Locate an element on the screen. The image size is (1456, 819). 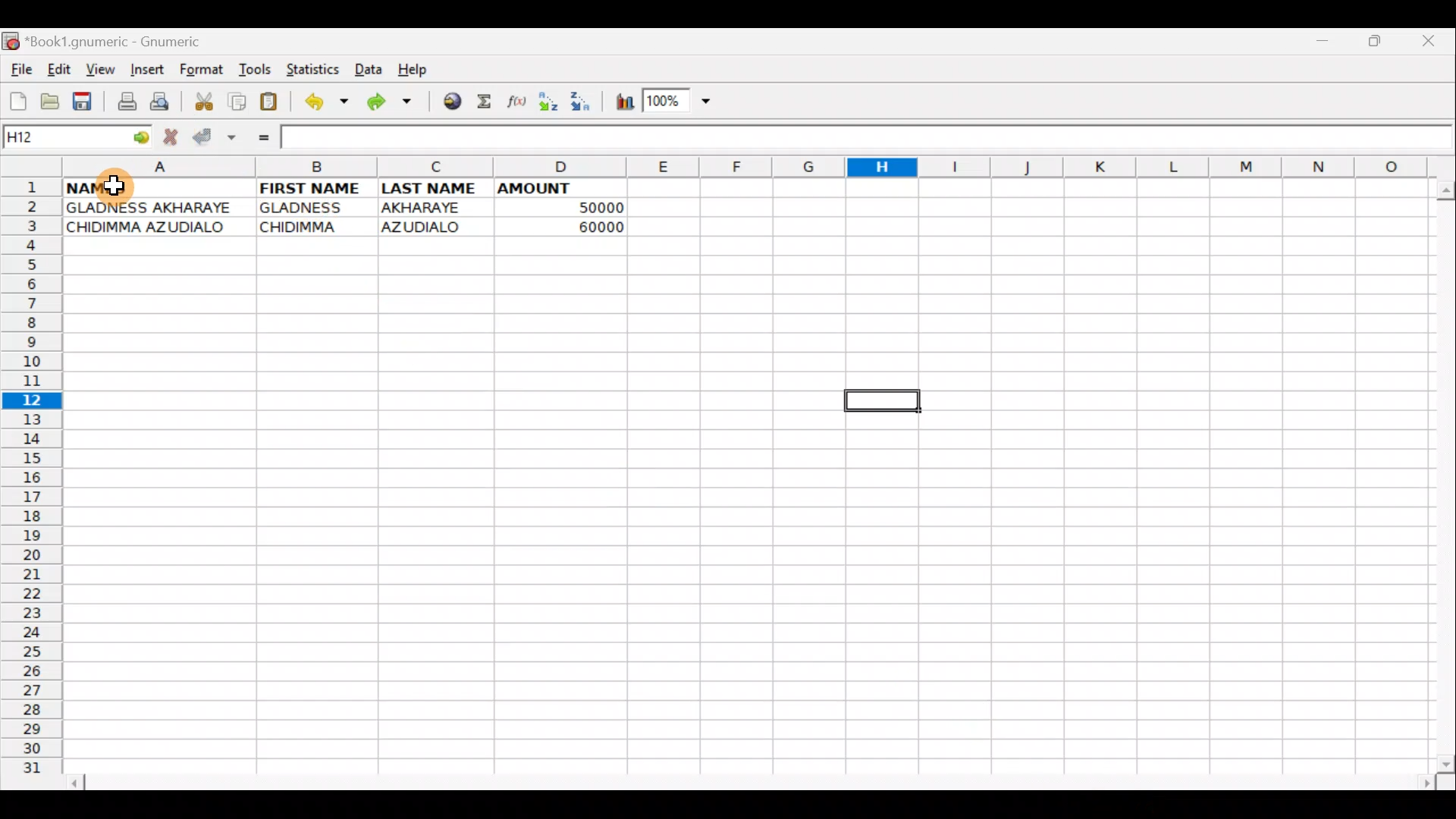
Cells is located at coordinates (737, 506).